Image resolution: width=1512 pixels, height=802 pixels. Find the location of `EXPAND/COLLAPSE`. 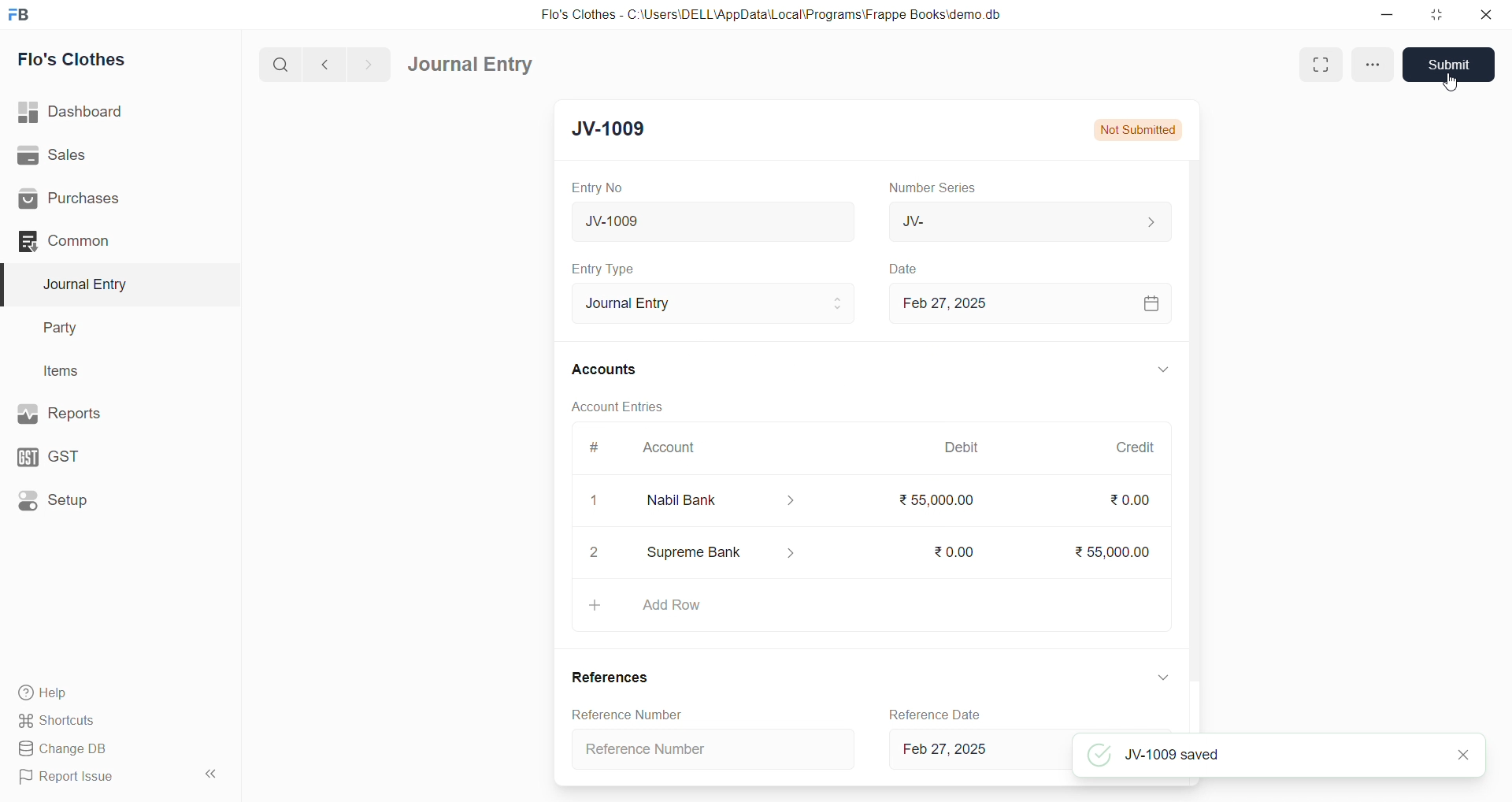

EXPAND/COLLAPSE is located at coordinates (1165, 677).